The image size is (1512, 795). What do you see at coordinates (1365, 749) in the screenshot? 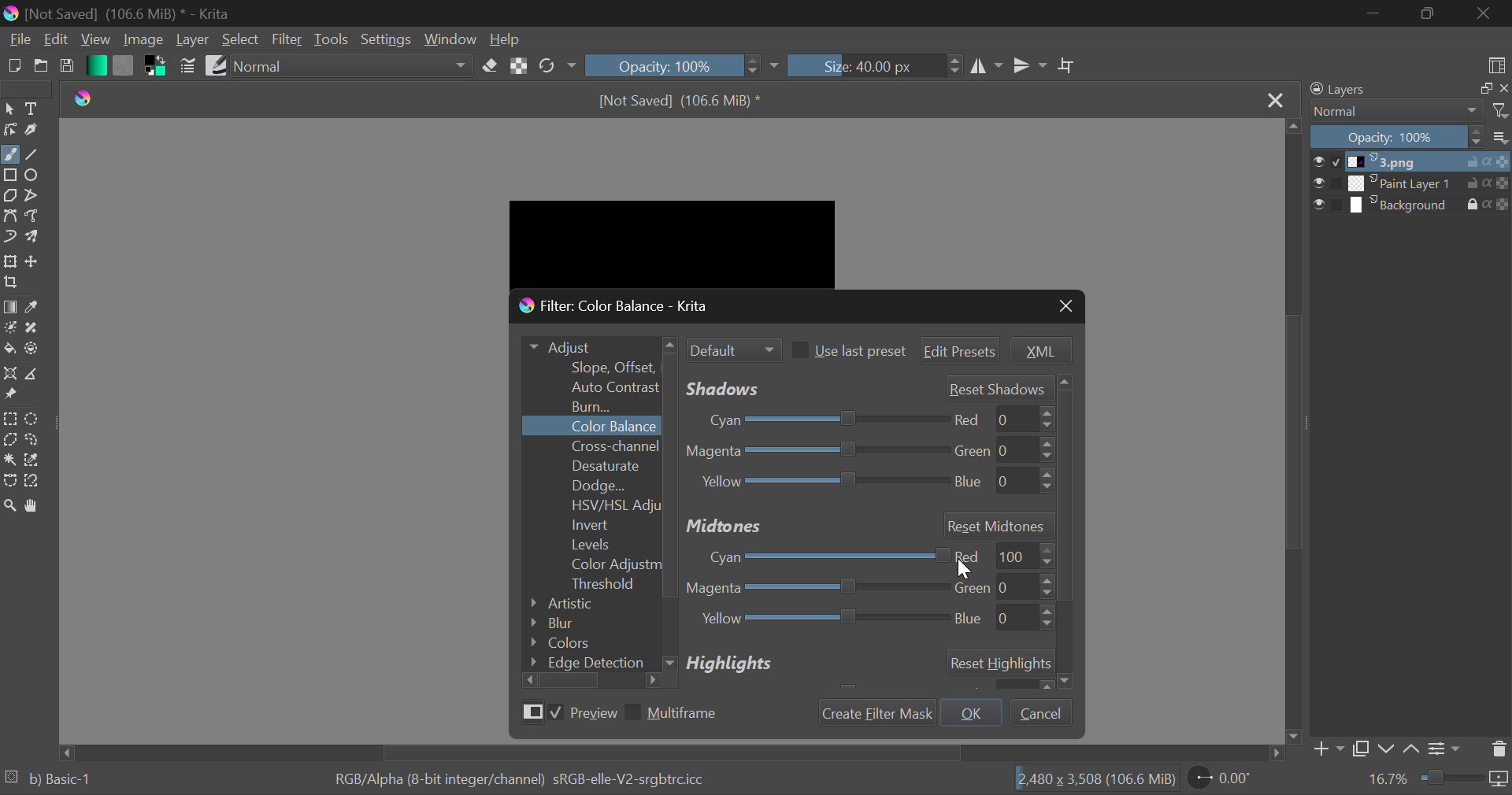
I see `Copy Layer` at bounding box center [1365, 749].